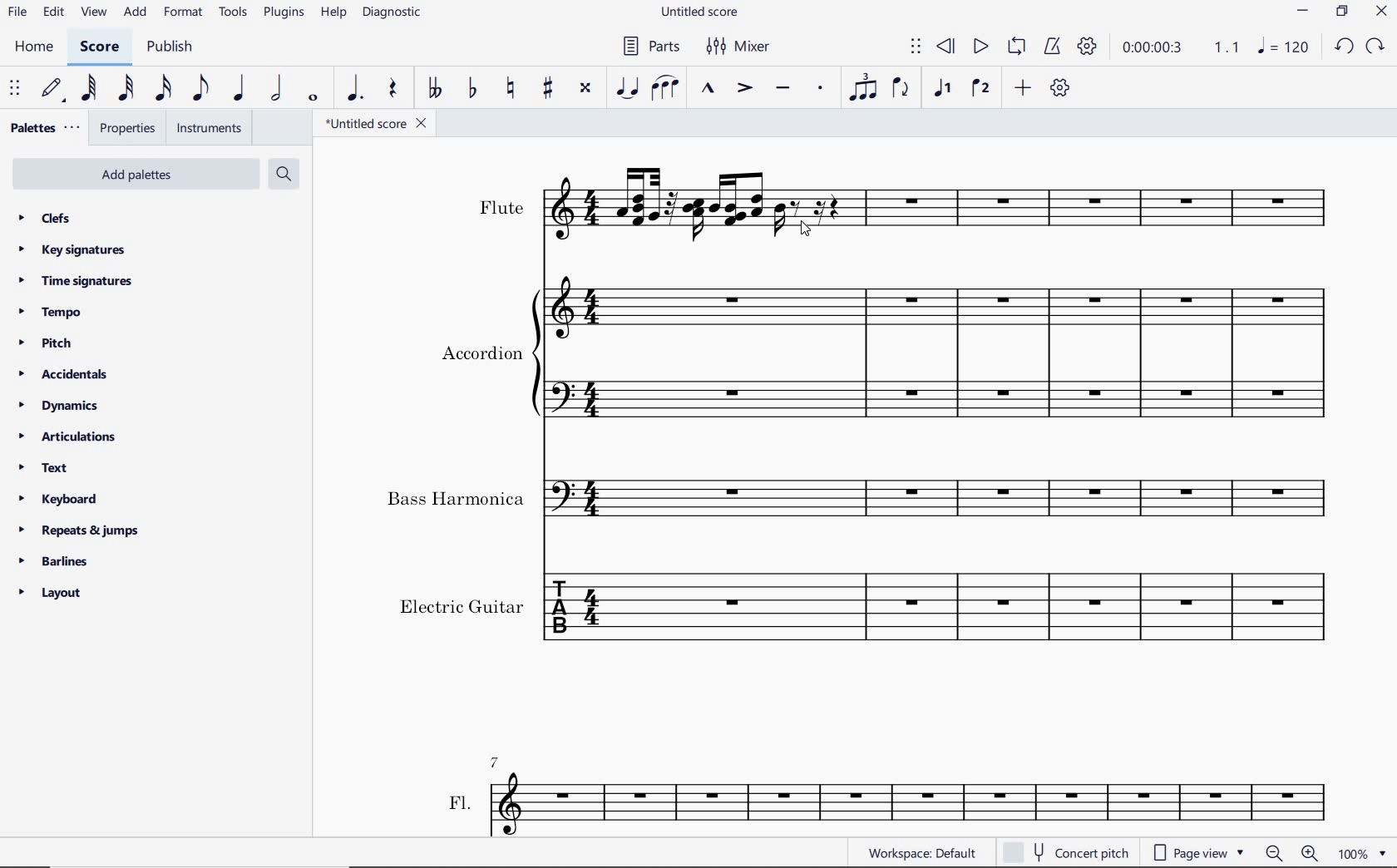  I want to click on MIXER, so click(737, 46).